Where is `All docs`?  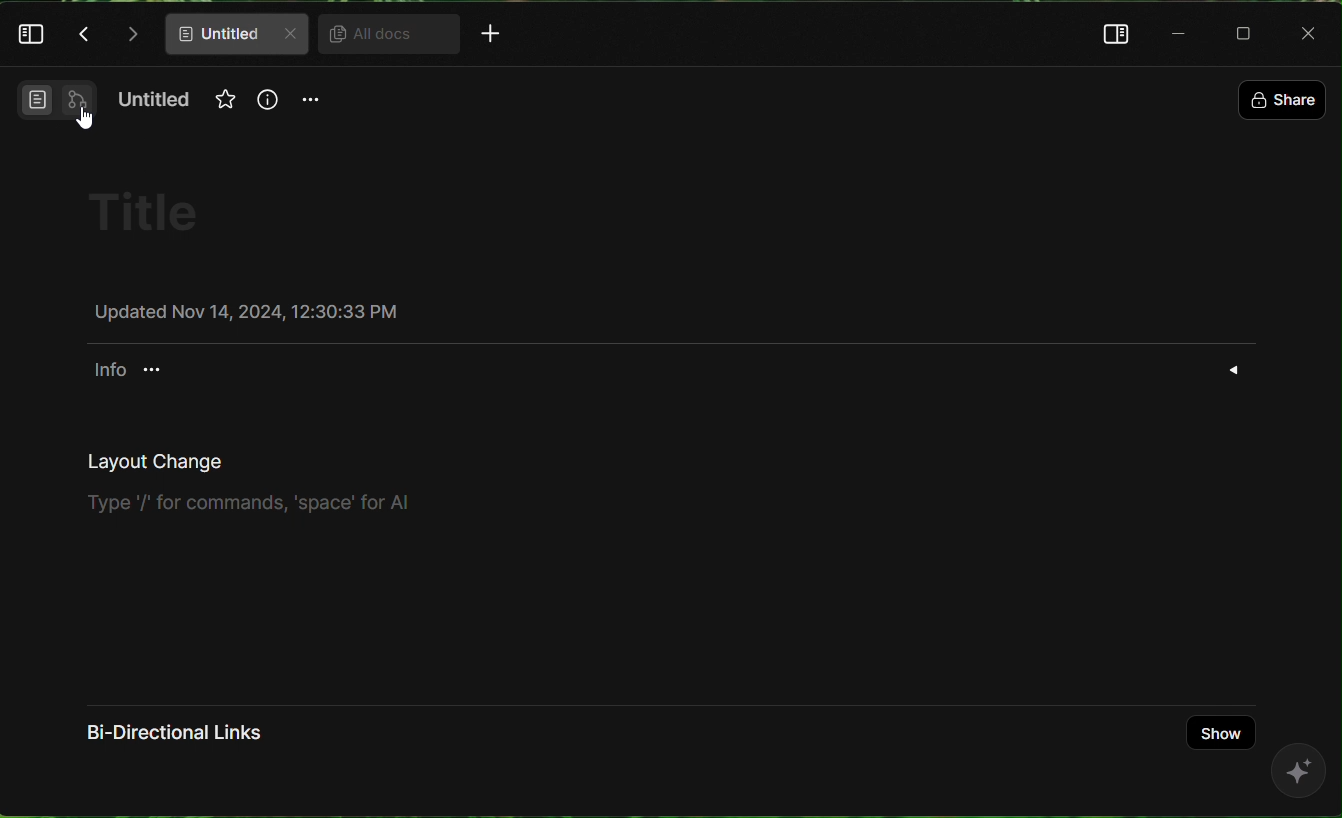 All docs is located at coordinates (381, 35).